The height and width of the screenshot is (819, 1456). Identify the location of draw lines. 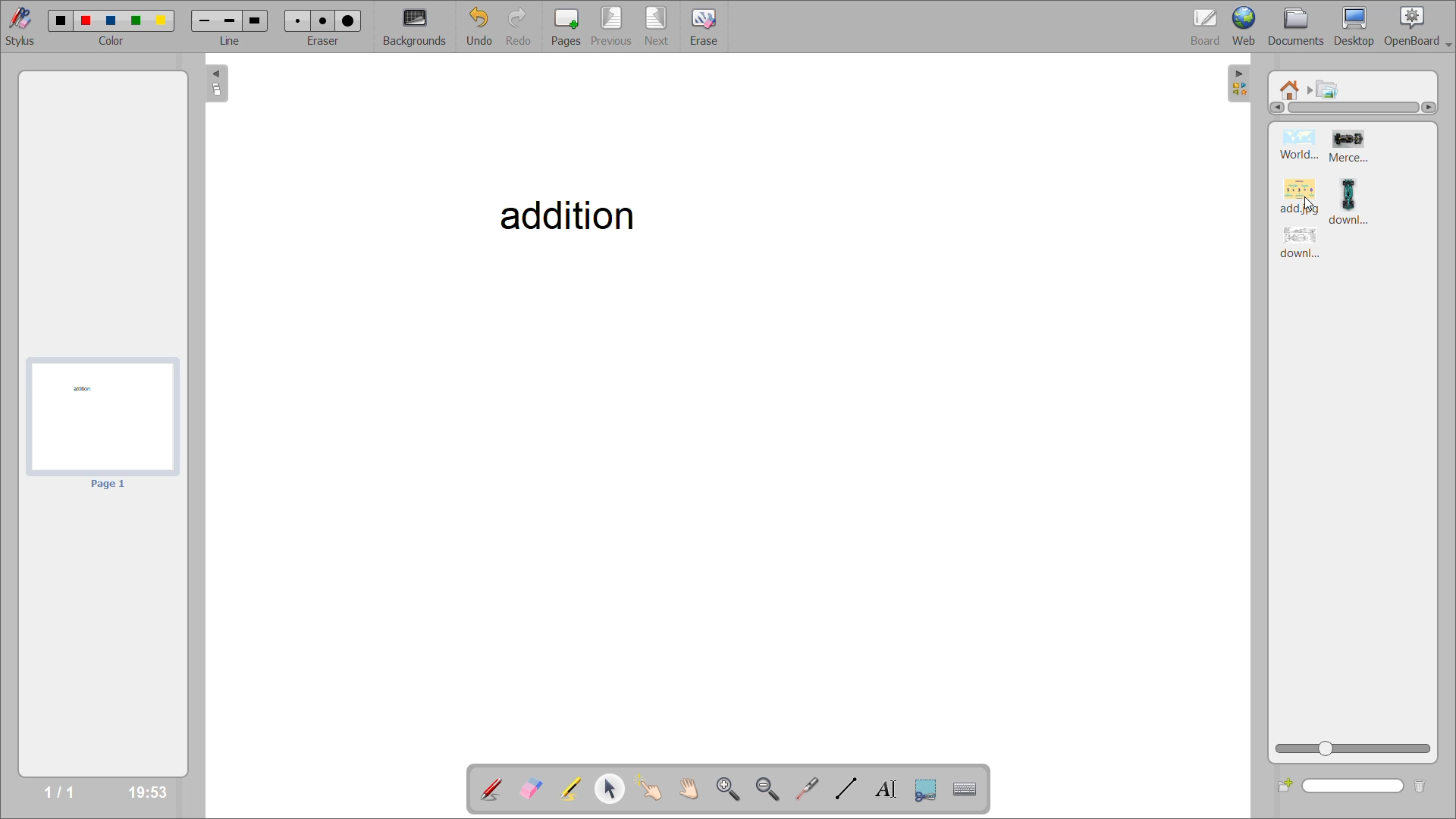
(849, 790).